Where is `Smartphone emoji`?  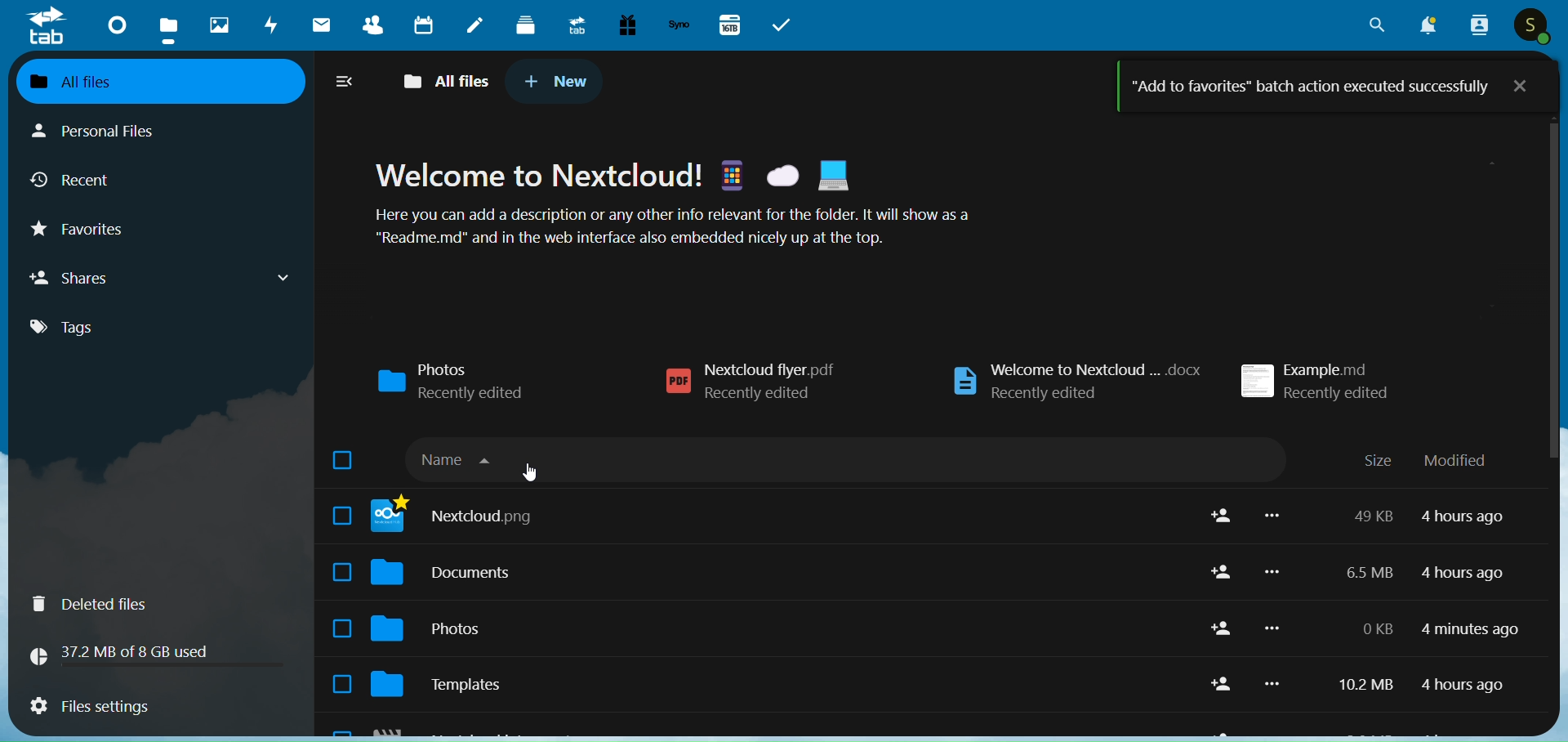
Smartphone emoji is located at coordinates (731, 174).